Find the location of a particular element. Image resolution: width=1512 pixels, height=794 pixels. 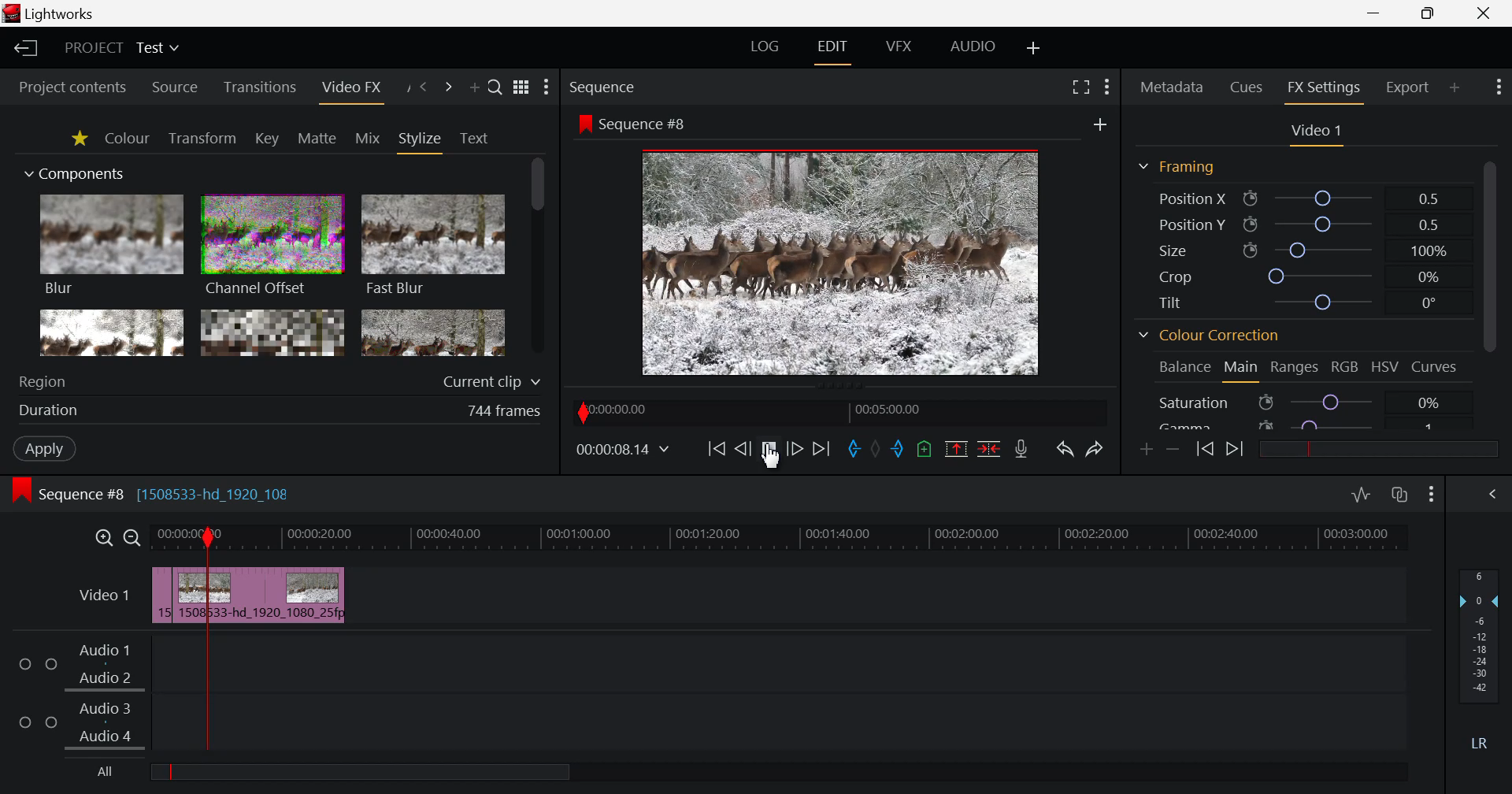

Full Screen is located at coordinates (1077, 90).